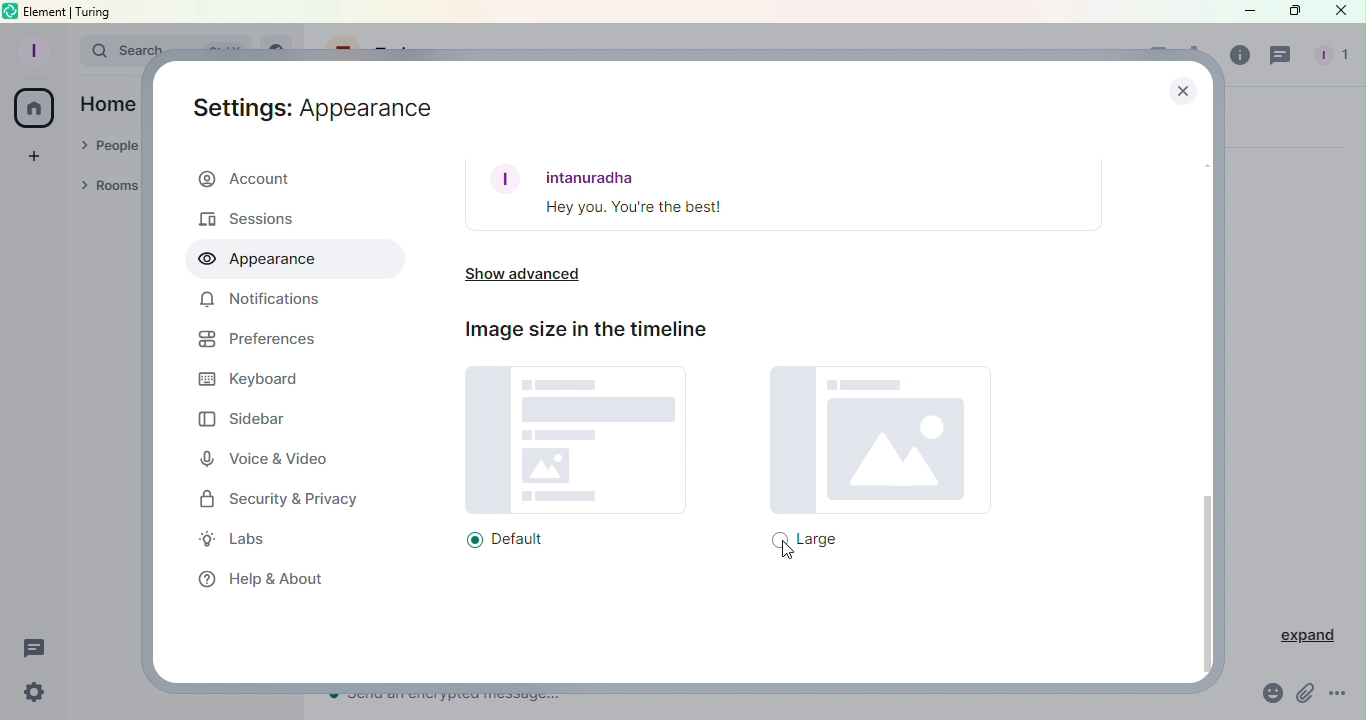 The height and width of the screenshot is (720, 1366). Describe the element at coordinates (260, 218) in the screenshot. I see `Sessions` at that location.